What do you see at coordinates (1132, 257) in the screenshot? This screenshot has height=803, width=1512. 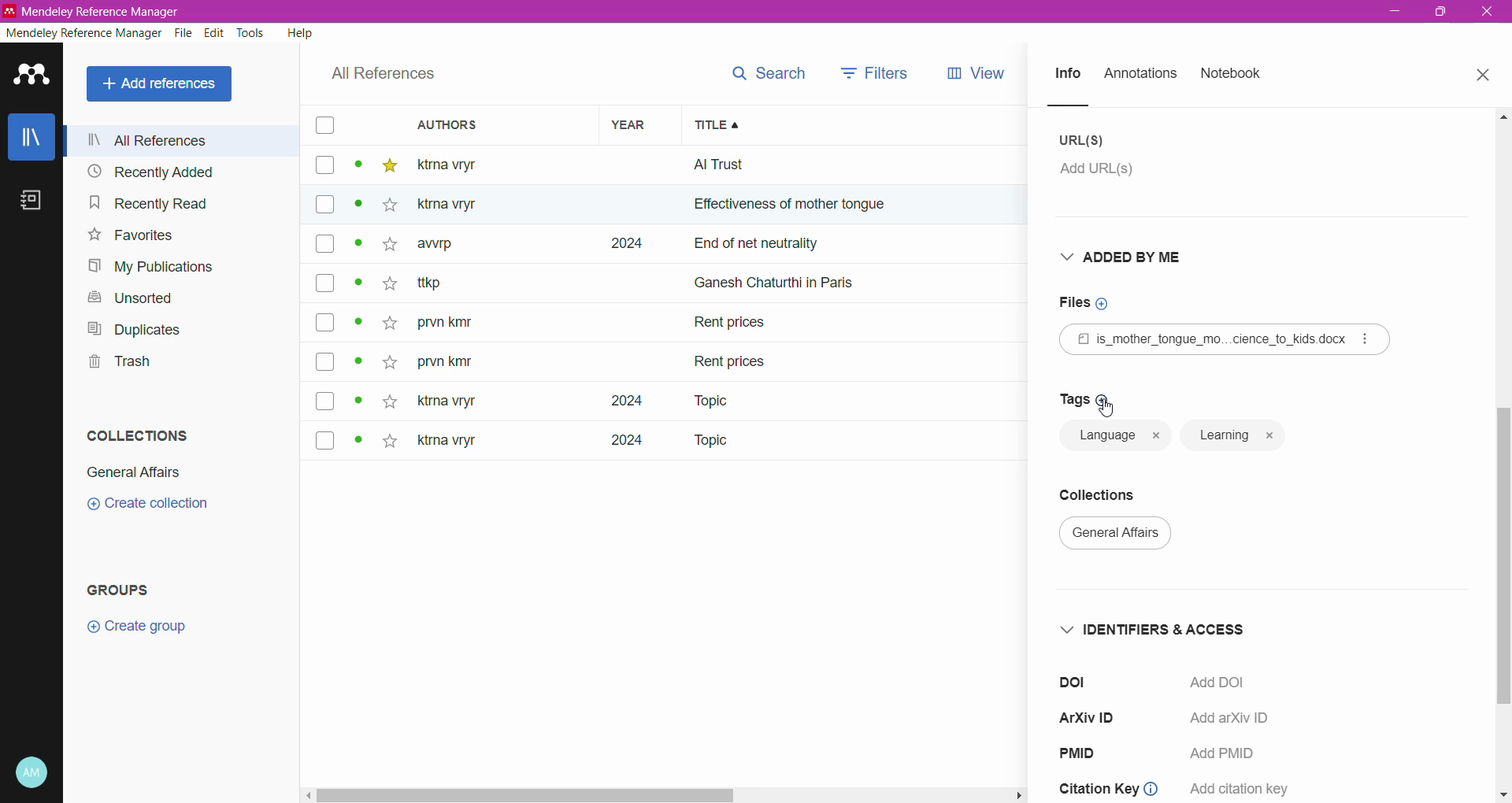 I see `Added By Me` at bounding box center [1132, 257].